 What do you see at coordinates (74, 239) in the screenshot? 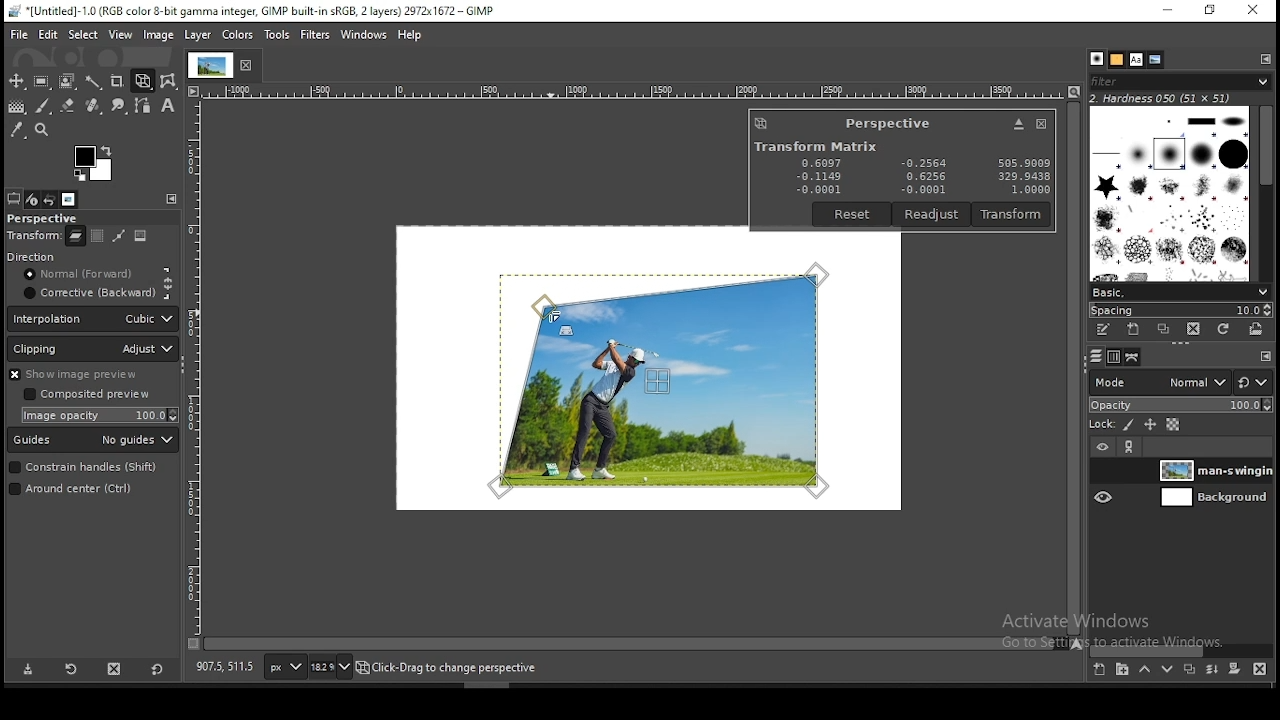
I see `layer` at bounding box center [74, 239].